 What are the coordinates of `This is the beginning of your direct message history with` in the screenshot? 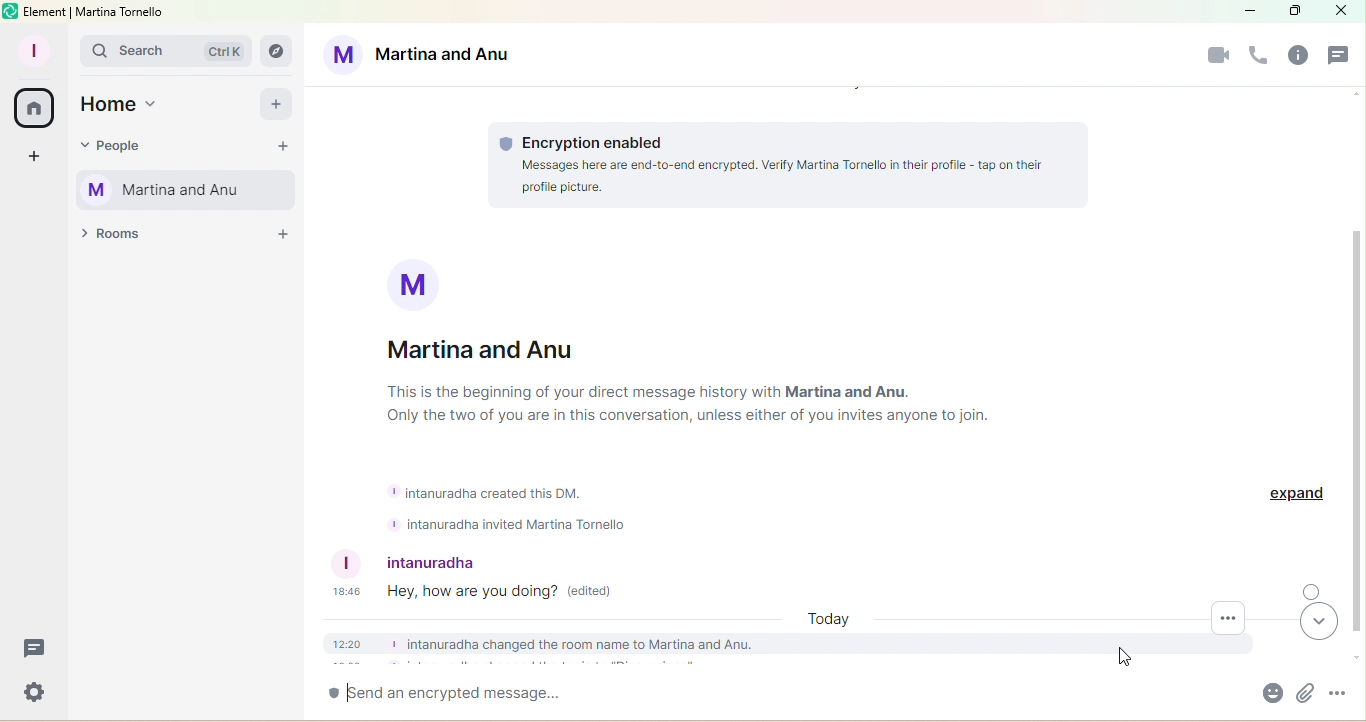 It's located at (584, 393).